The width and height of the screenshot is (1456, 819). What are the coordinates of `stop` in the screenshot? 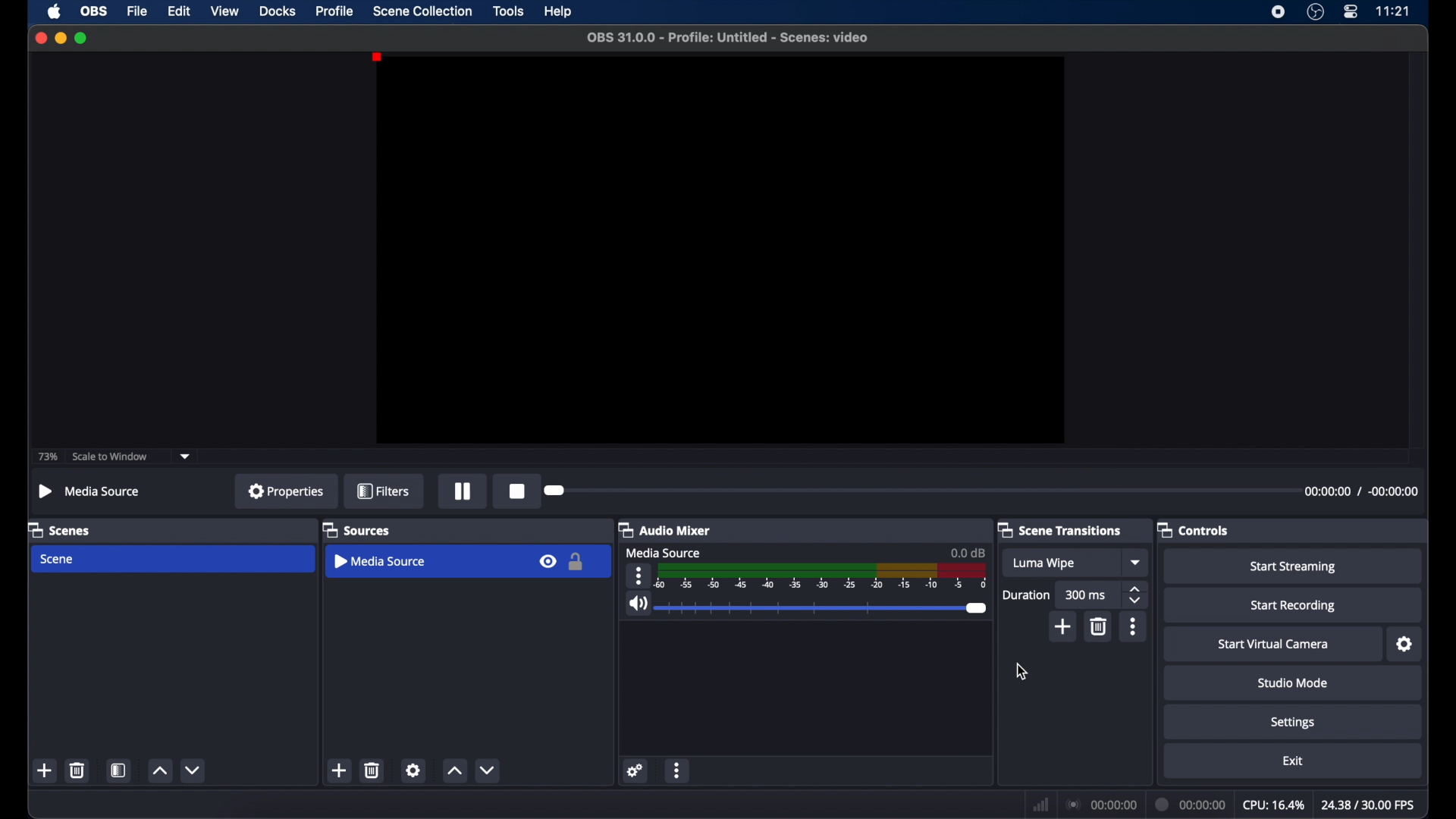 It's located at (519, 491).